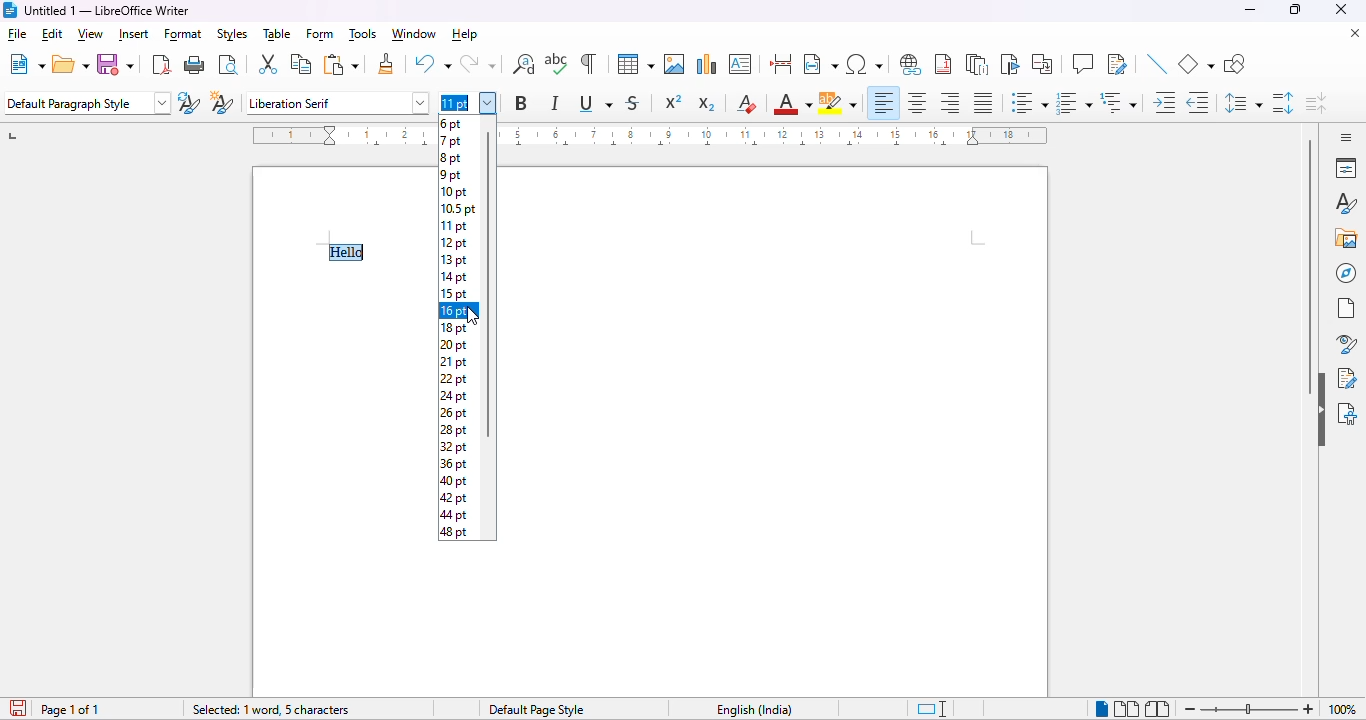 This screenshot has height=720, width=1366. I want to click on zoom out, so click(1188, 710).